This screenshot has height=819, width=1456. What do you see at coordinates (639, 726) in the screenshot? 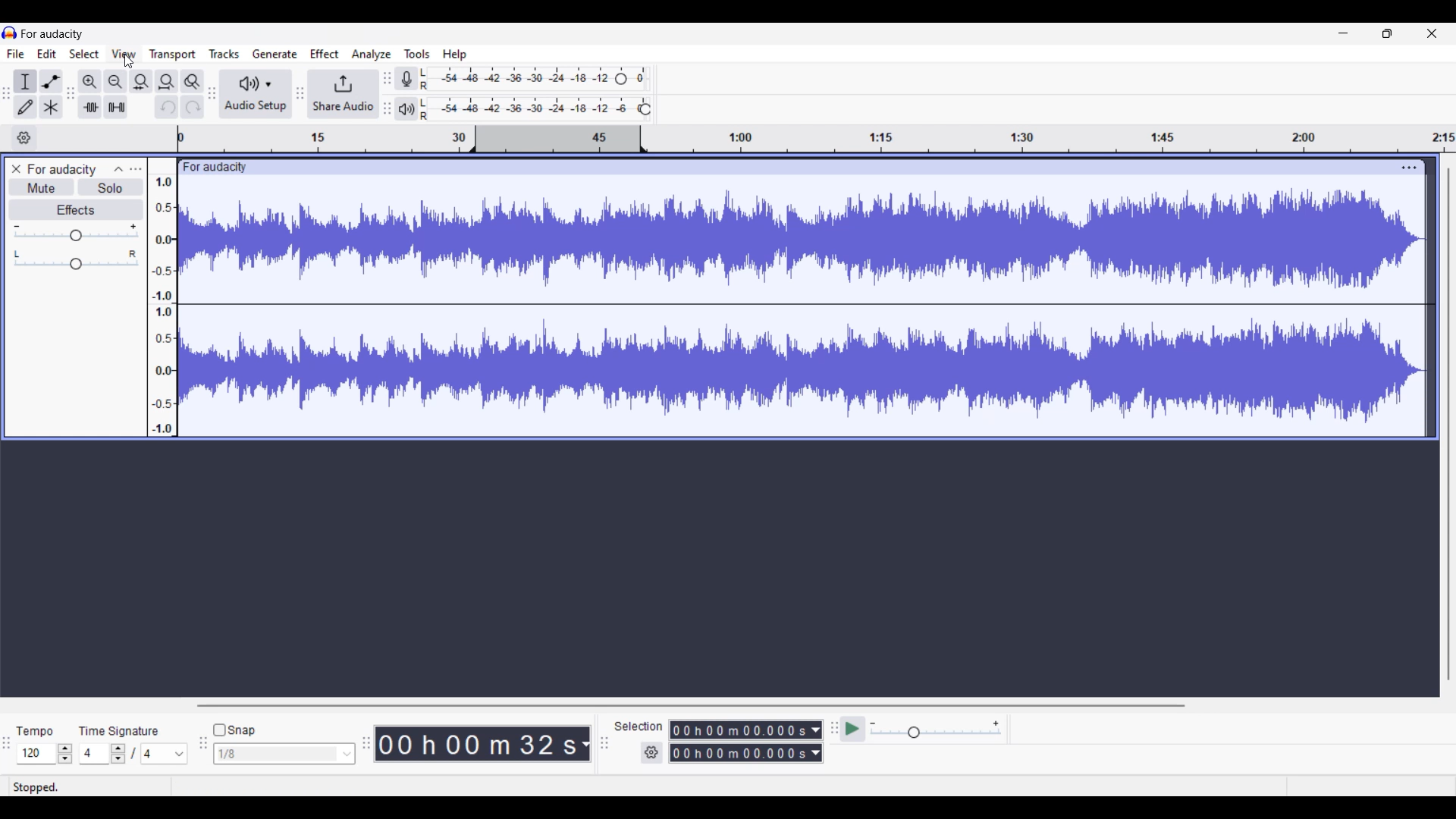
I see `Indicates selection duration settings` at bounding box center [639, 726].